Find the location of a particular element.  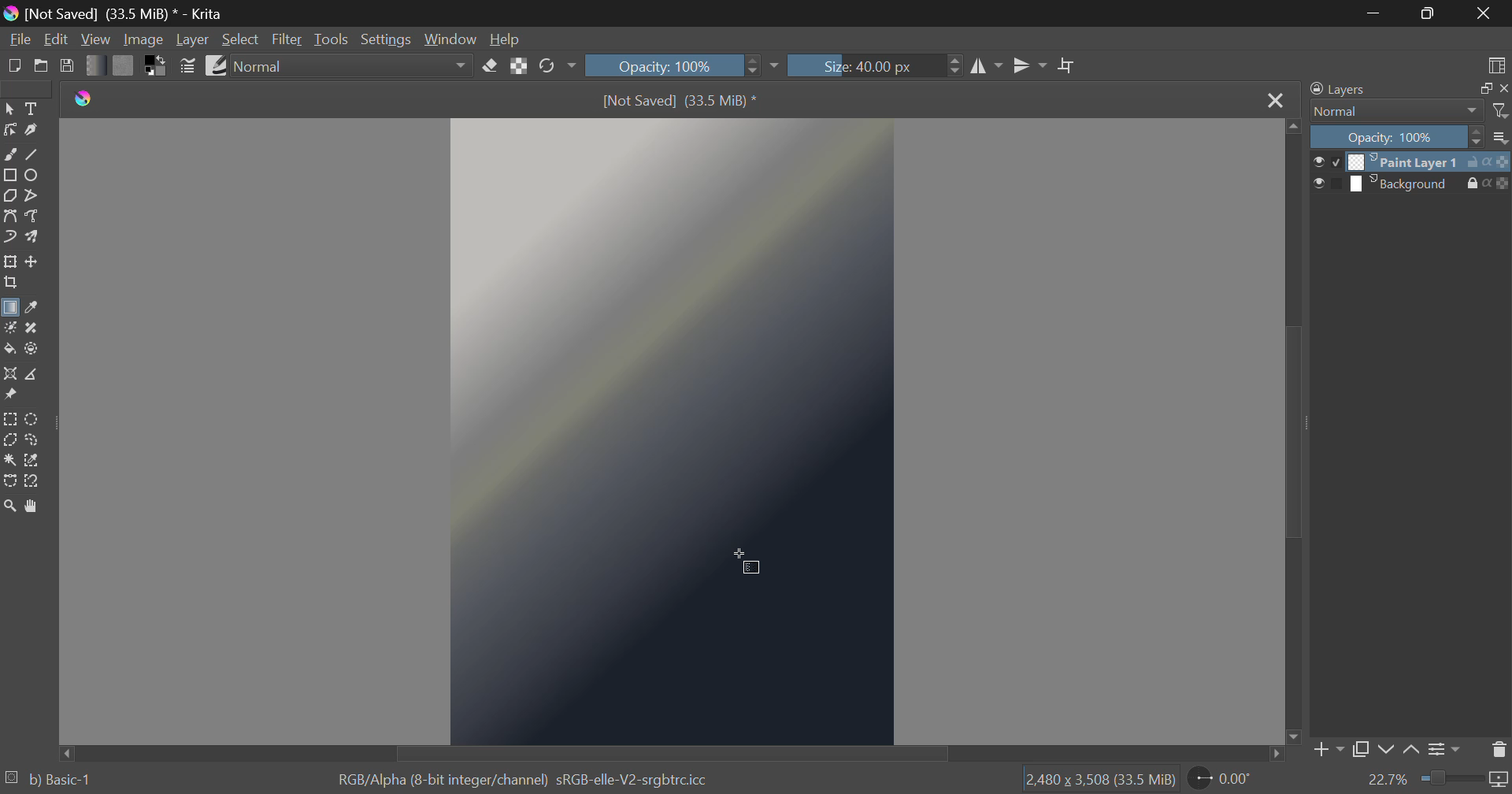

Smart Patch Tool is located at coordinates (32, 329).